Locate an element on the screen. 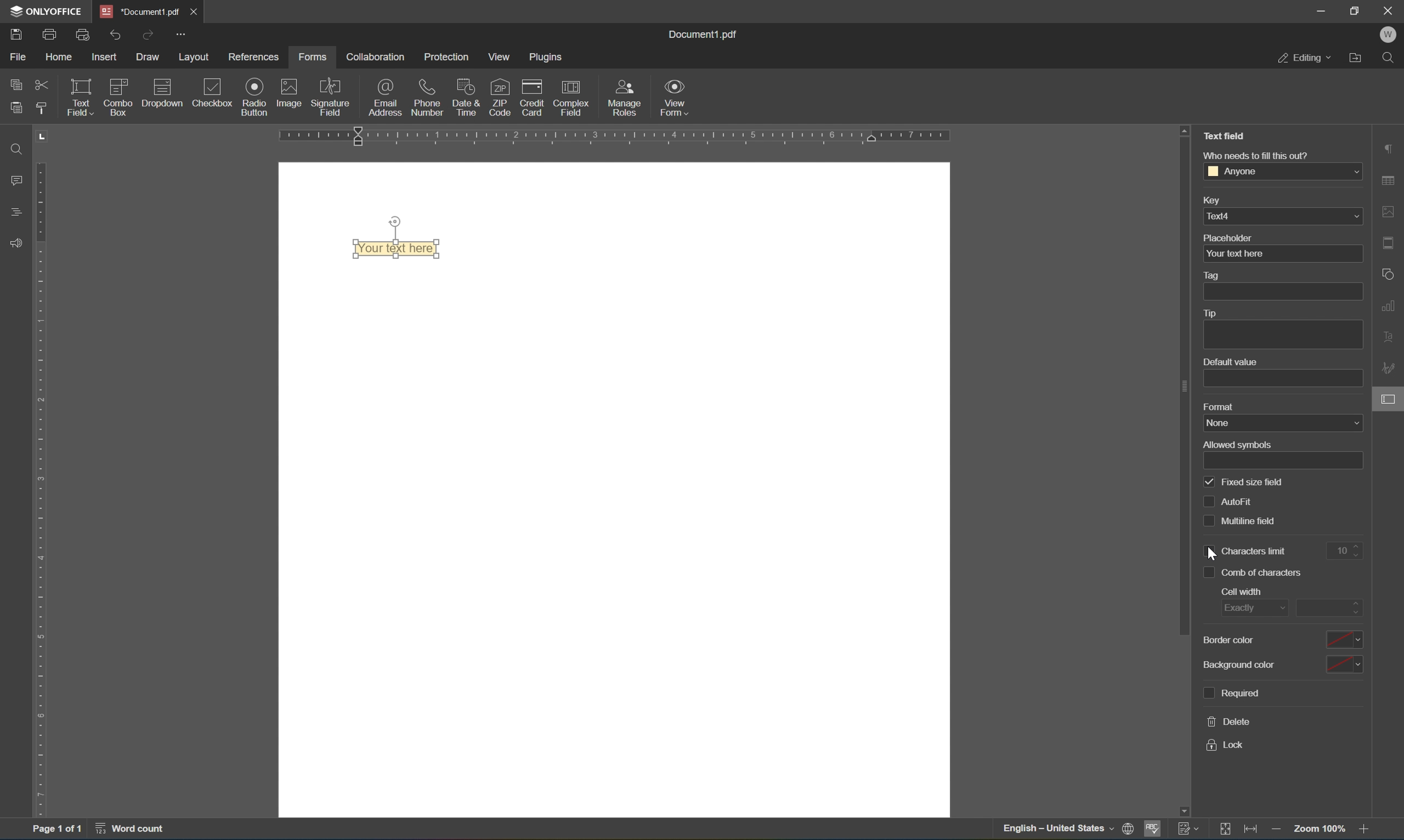 The height and width of the screenshot is (840, 1404). forms is located at coordinates (314, 57).